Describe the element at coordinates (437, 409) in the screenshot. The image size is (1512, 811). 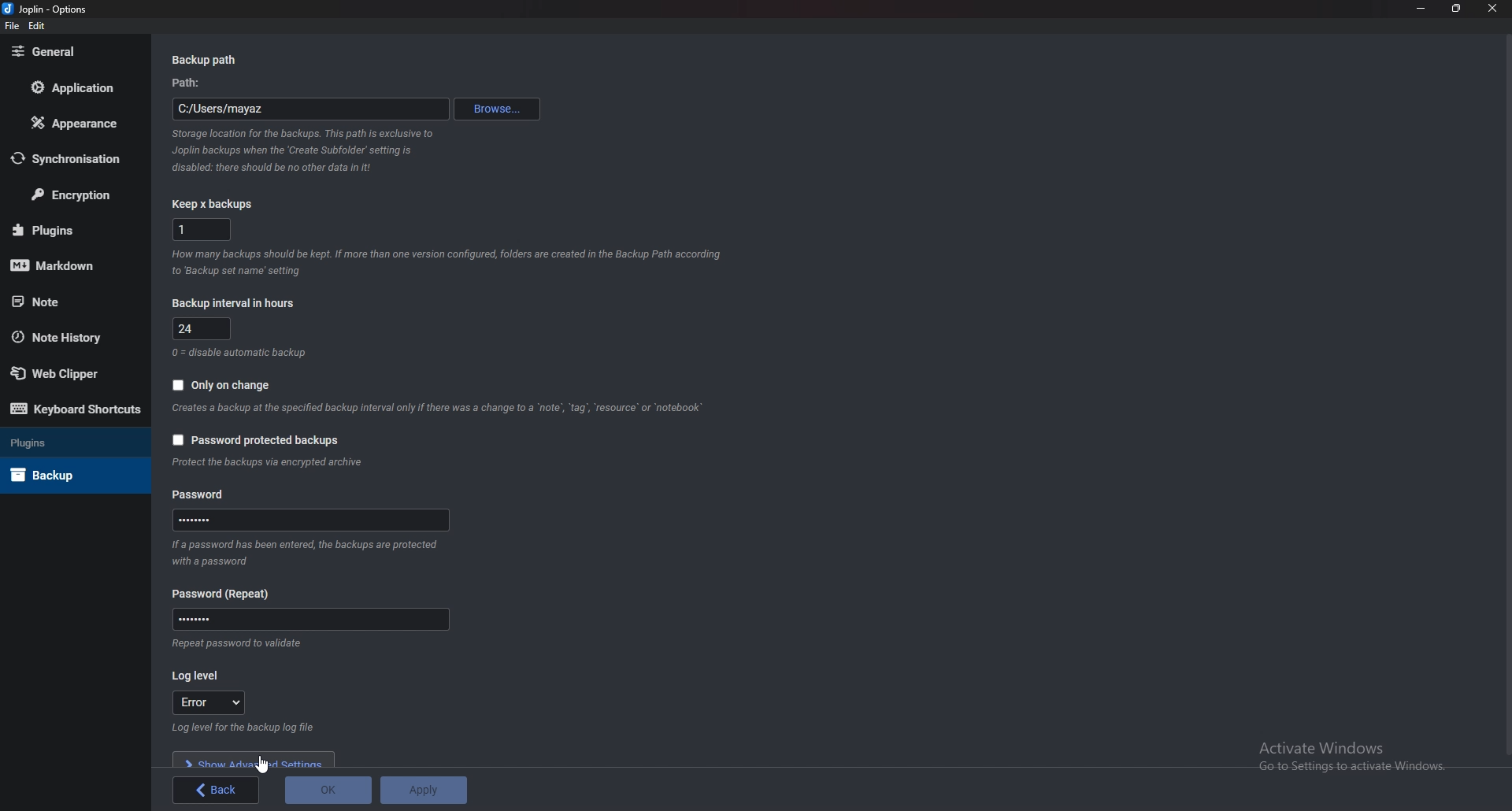
I see `Info on backup on change` at that location.